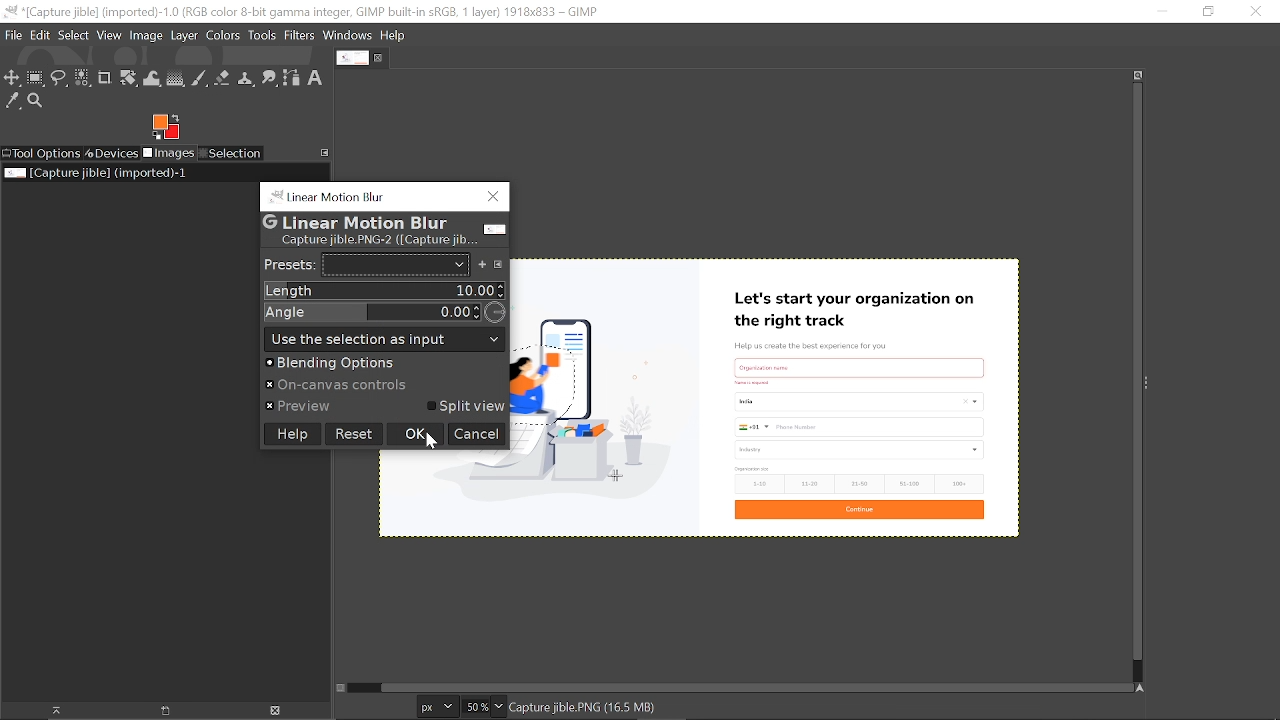 The height and width of the screenshot is (720, 1280). What do you see at coordinates (375, 240) in the screenshot?
I see `Capture jible.PNG-2 (Capture jib...` at bounding box center [375, 240].